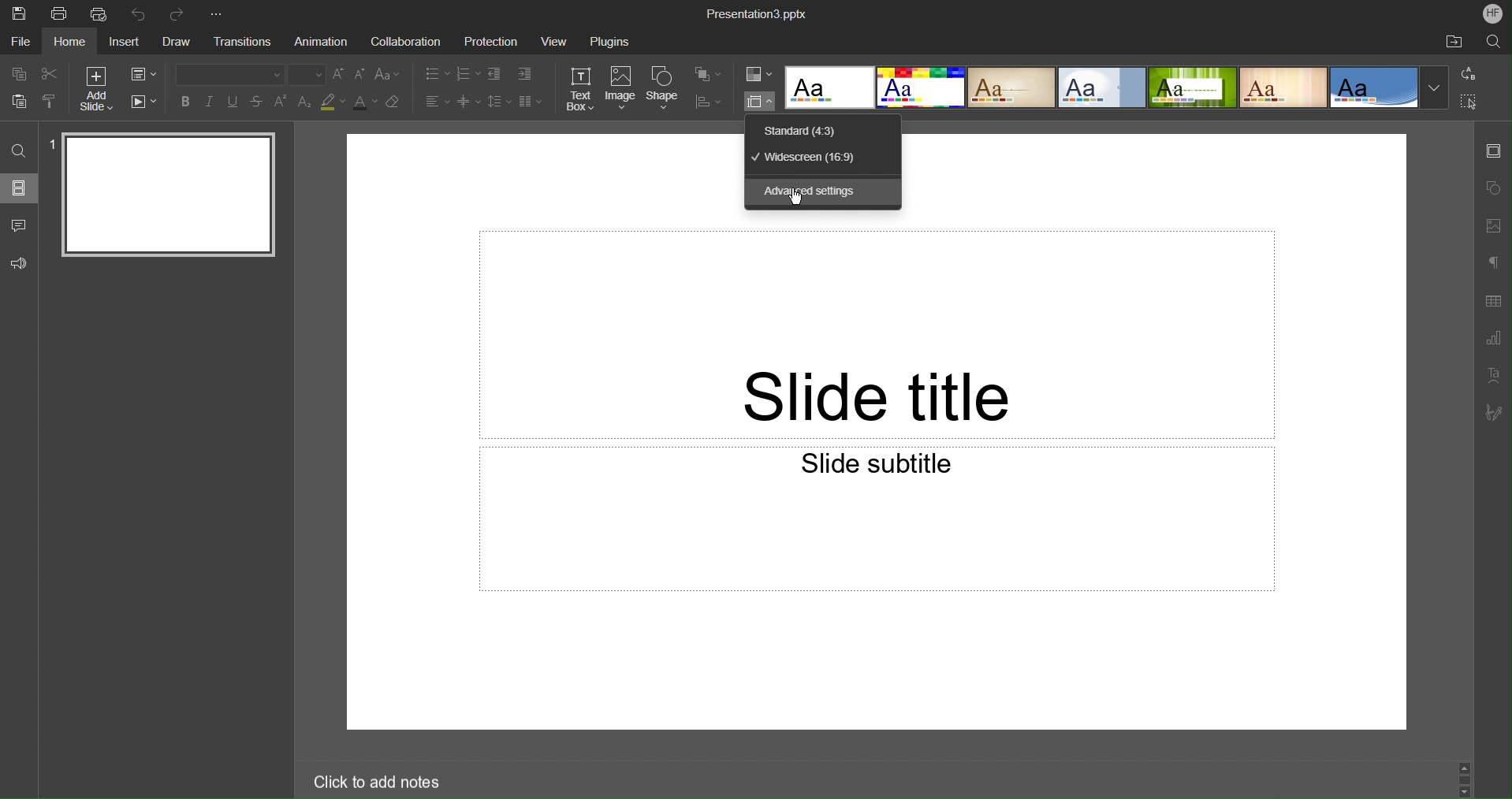  Describe the element at coordinates (709, 102) in the screenshot. I see `Align` at that location.